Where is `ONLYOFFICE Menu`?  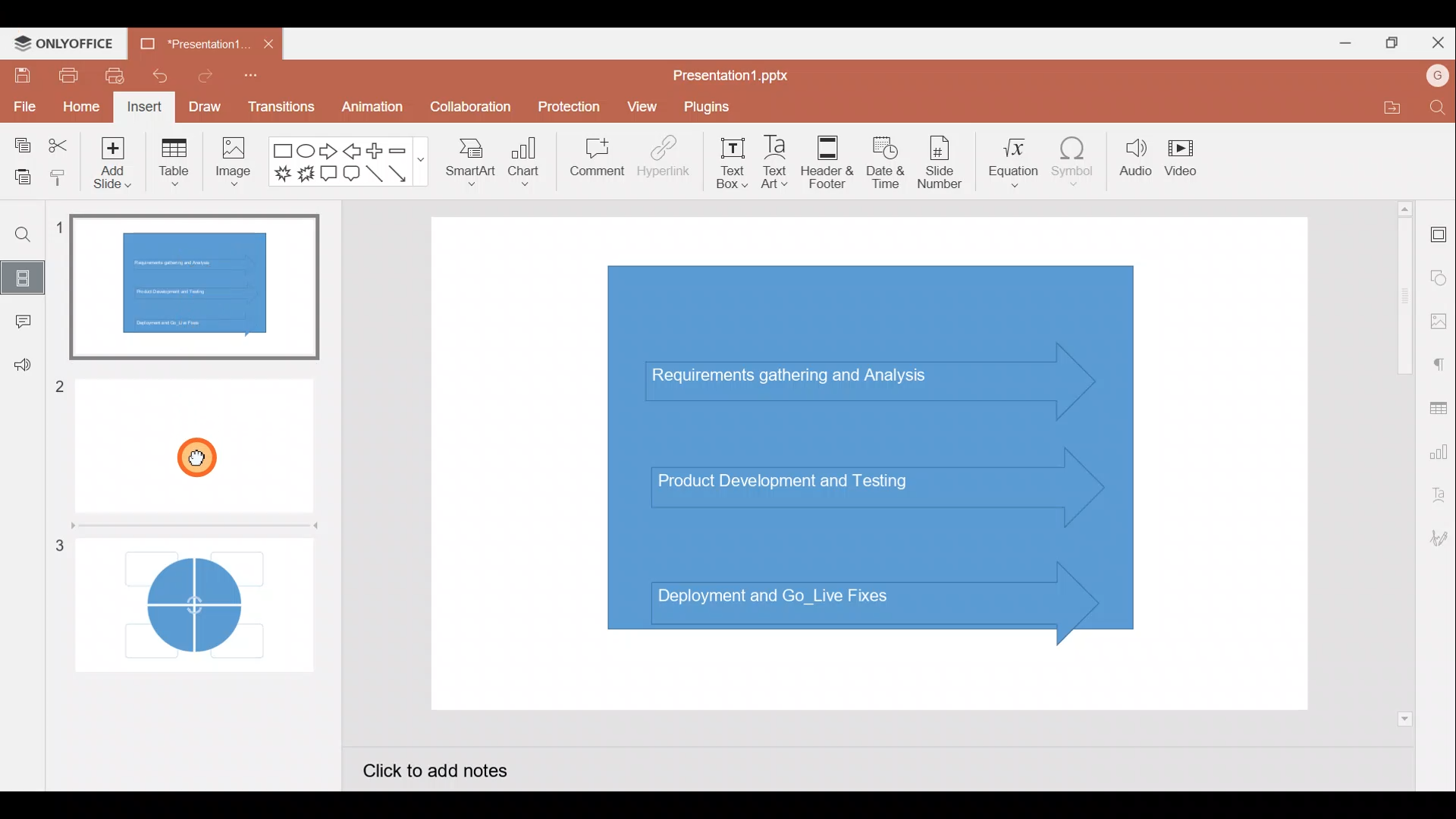
ONLYOFFICE Menu is located at coordinates (72, 44).